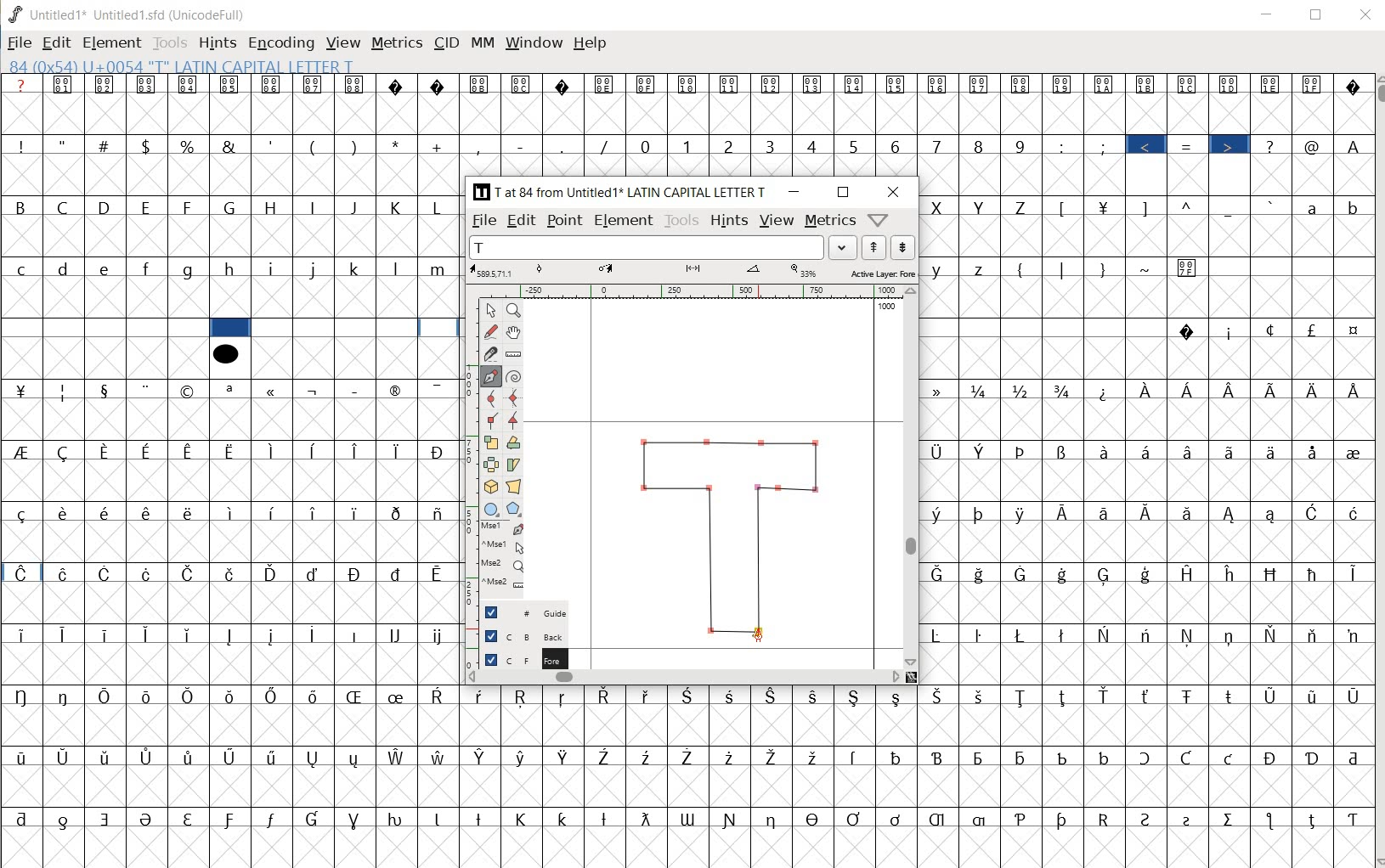 The height and width of the screenshot is (868, 1385). Describe the element at coordinates (911, 476) in the screenshot. I see `vertical scrollbar` at that location.